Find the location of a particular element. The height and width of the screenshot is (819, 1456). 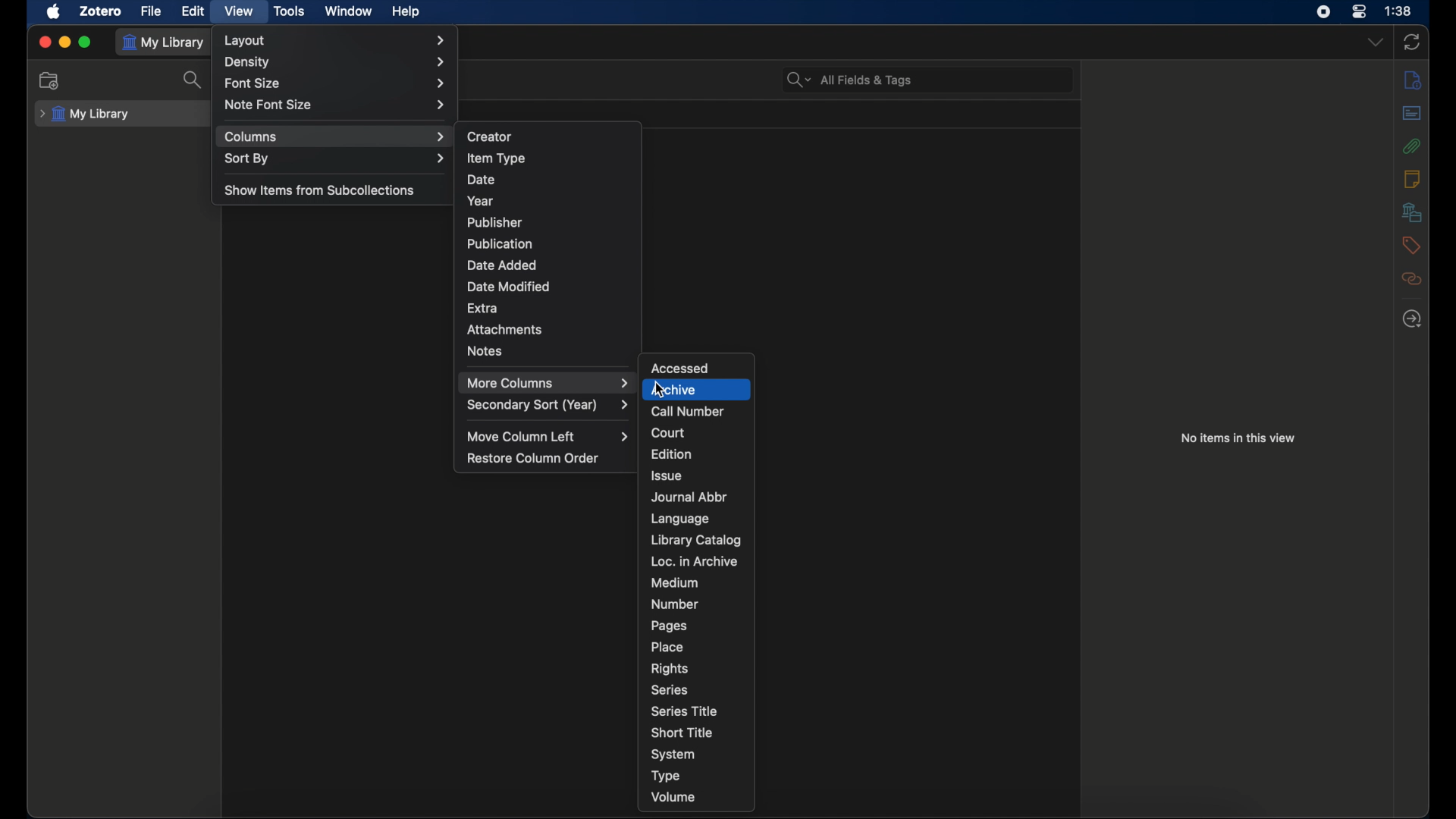

columns is located at coordinates (335, 136).